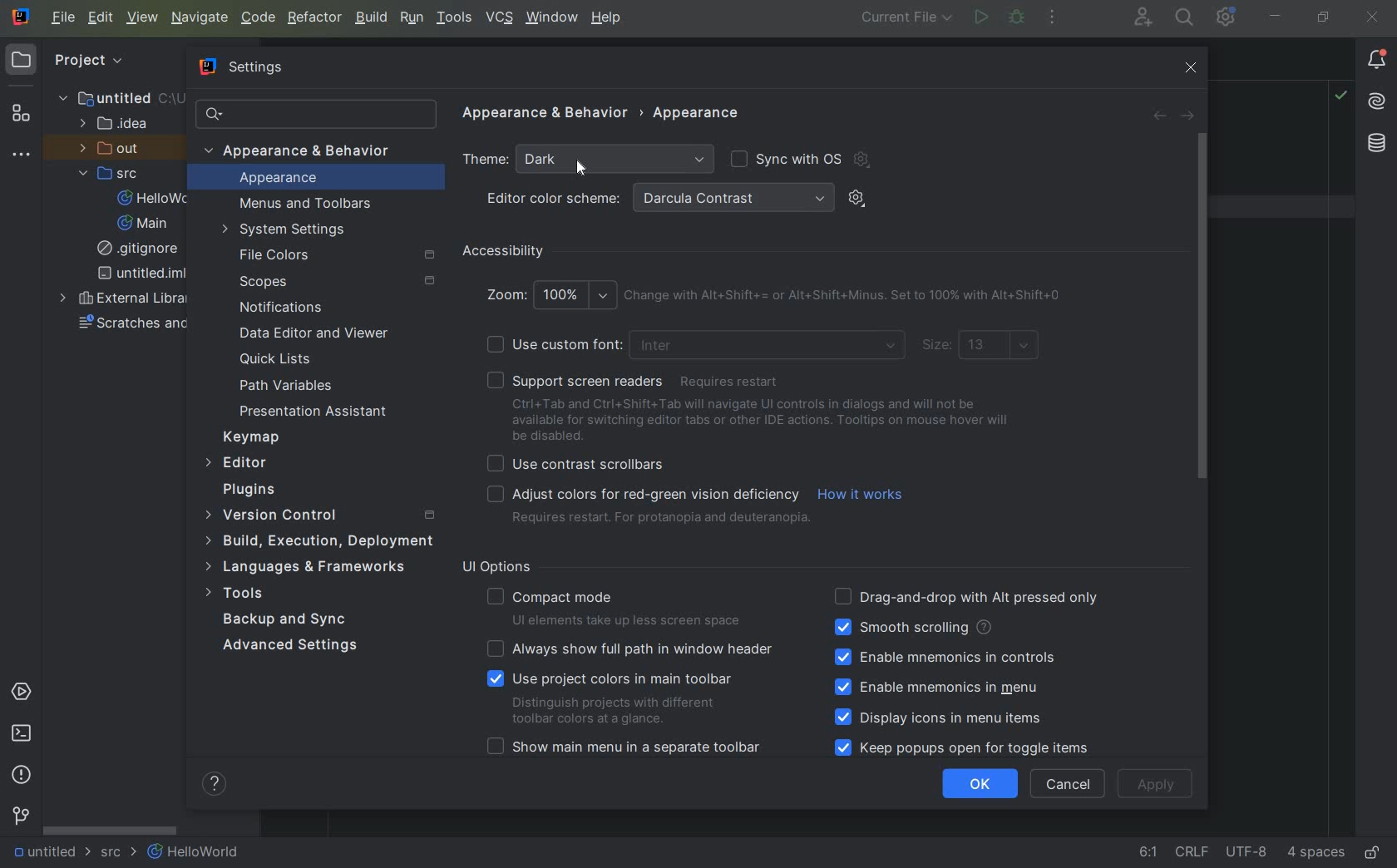 The width and height of the screenshot is (1397, 868). What do you see at coordinates (60, 17) in the screenshot?
I see `MAIN MENU` at bounding box center [60, 17].